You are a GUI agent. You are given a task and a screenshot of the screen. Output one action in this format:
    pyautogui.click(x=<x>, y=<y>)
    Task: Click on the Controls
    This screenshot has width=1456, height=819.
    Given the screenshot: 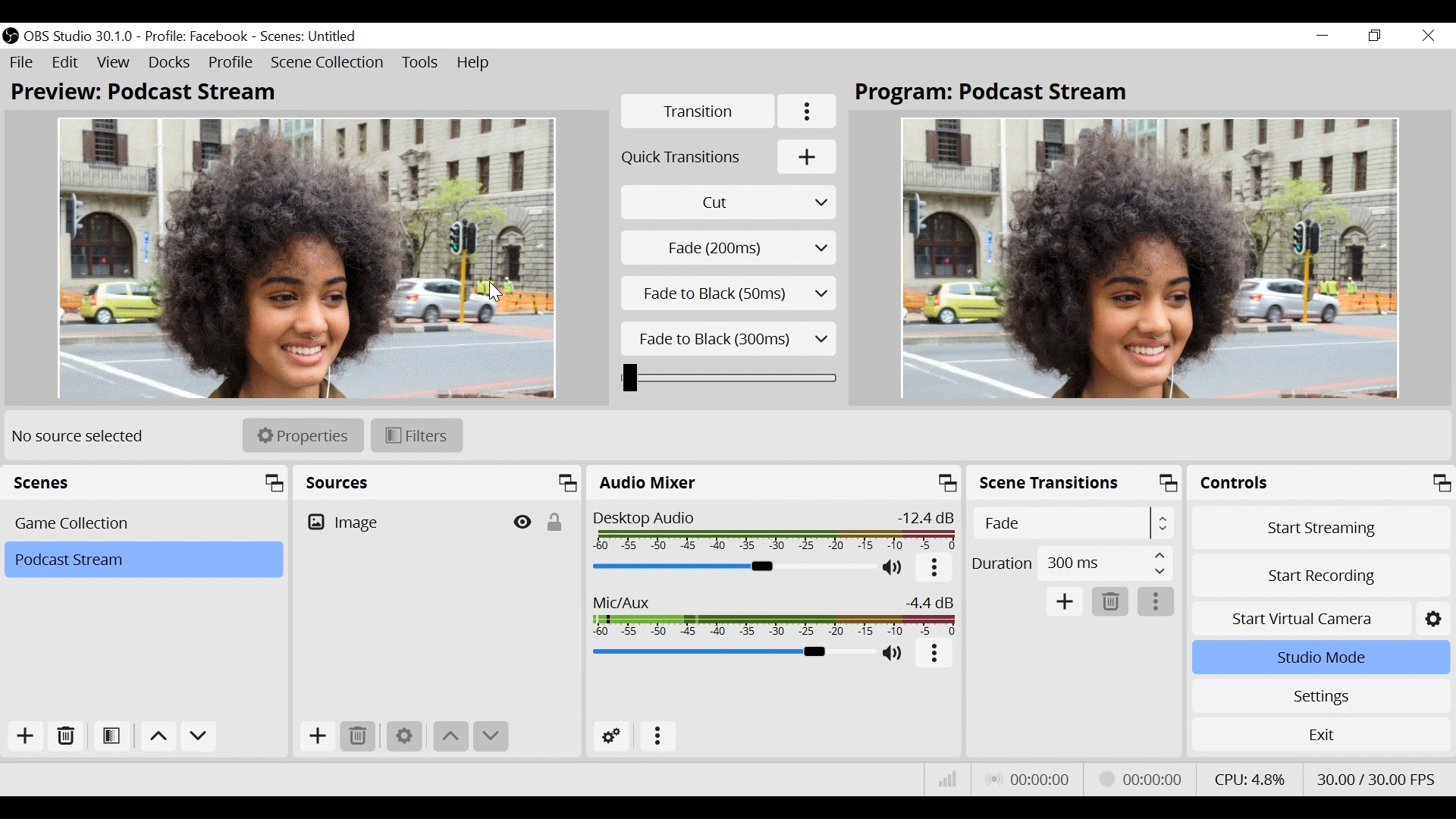 What is the action you would take?
    pyautogui.click(x=1320, y=482)
    